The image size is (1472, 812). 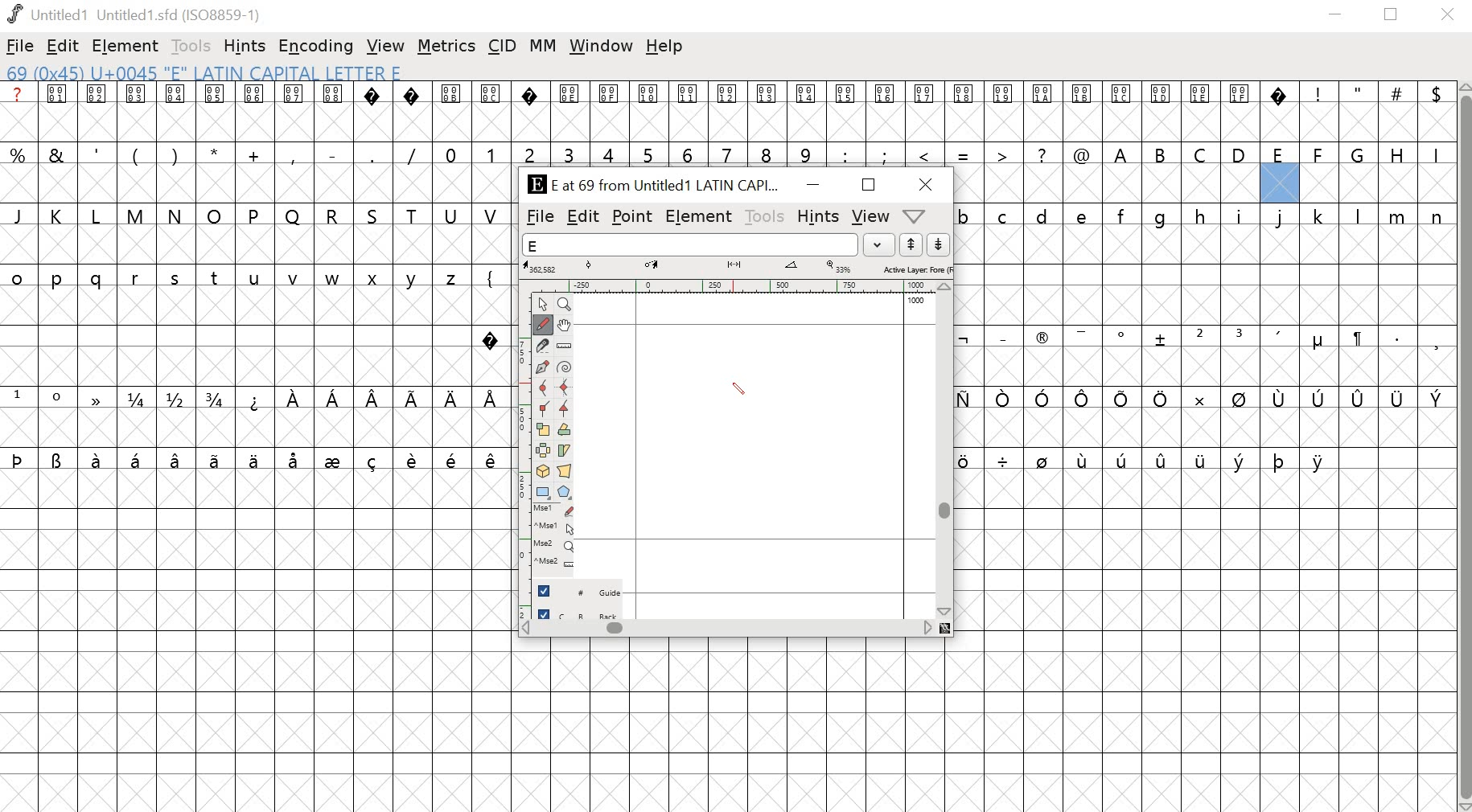 I want to click on close, so click(x=928, y=185).